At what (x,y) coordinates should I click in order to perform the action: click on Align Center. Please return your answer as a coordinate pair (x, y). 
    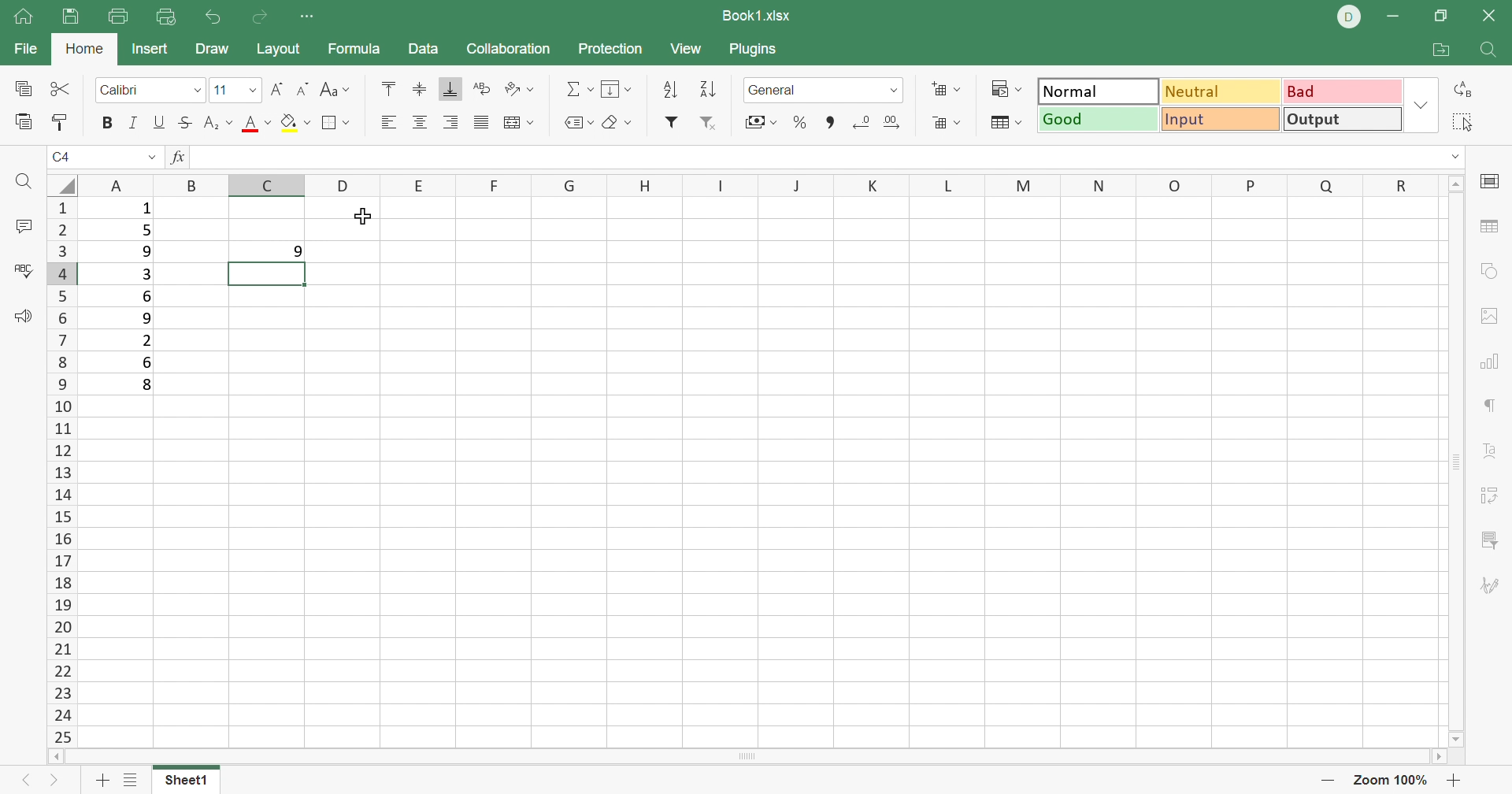
    Looking at the image, I should click on (421, 124).